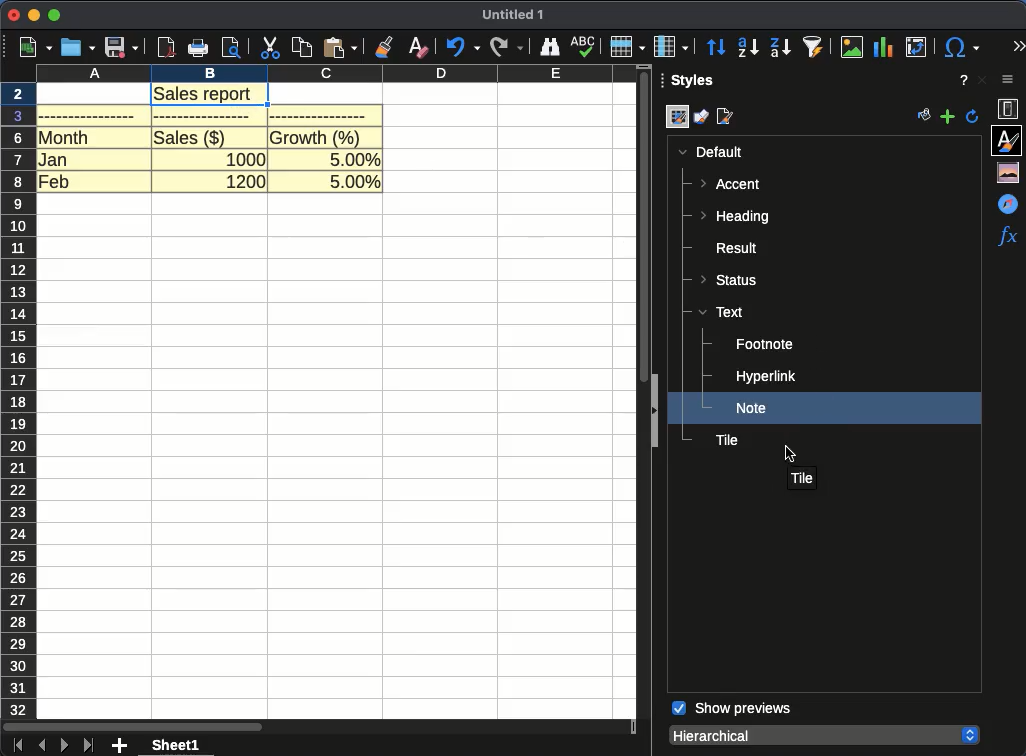  Describe the element at coordinates (33, 16) in the screenshot. I see `minimize` at that location.